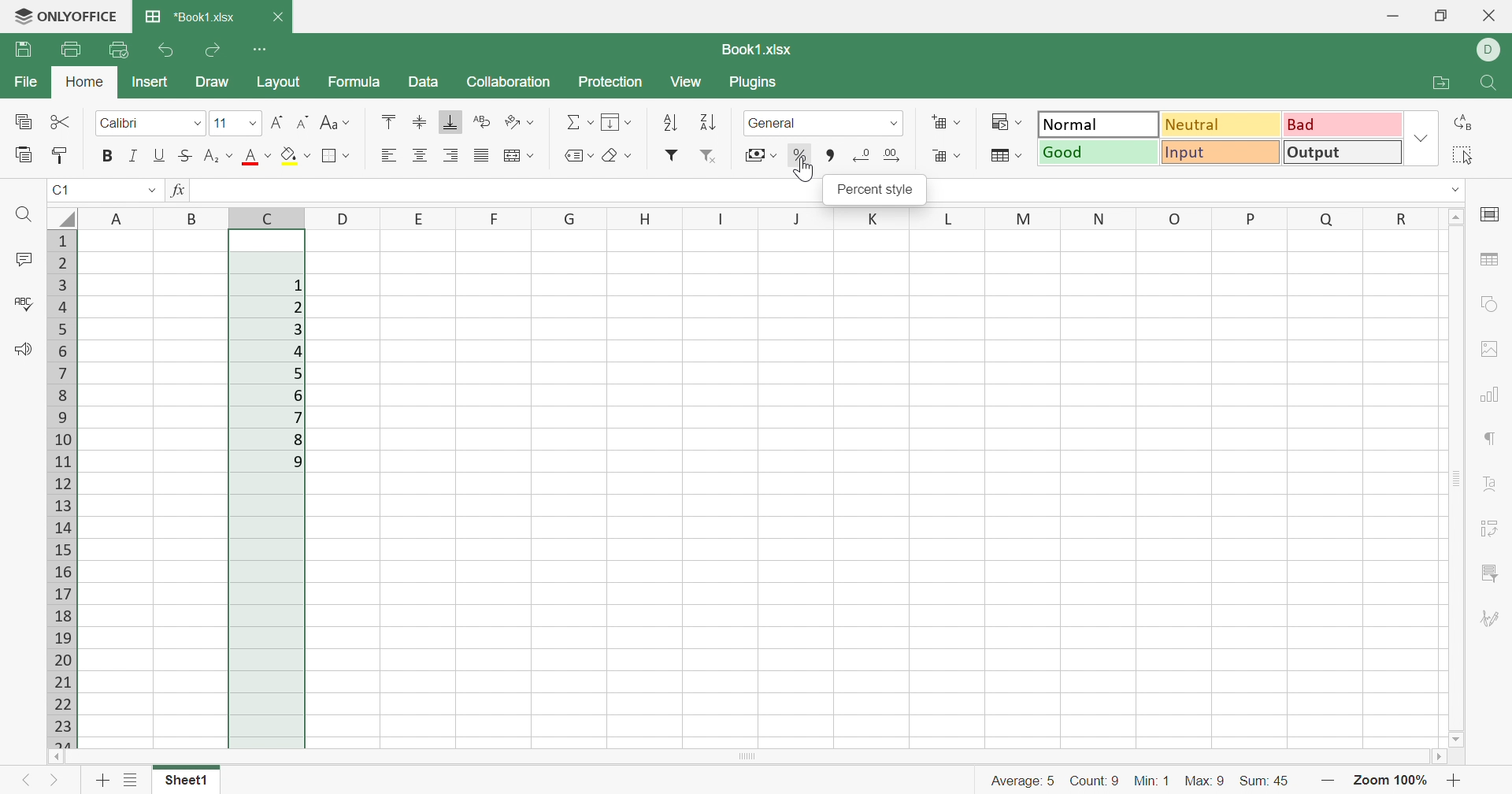 Image resolution: width=1512 pixels, height=794 pixels. I want to click on Scroll Right, so click(1444, 757).